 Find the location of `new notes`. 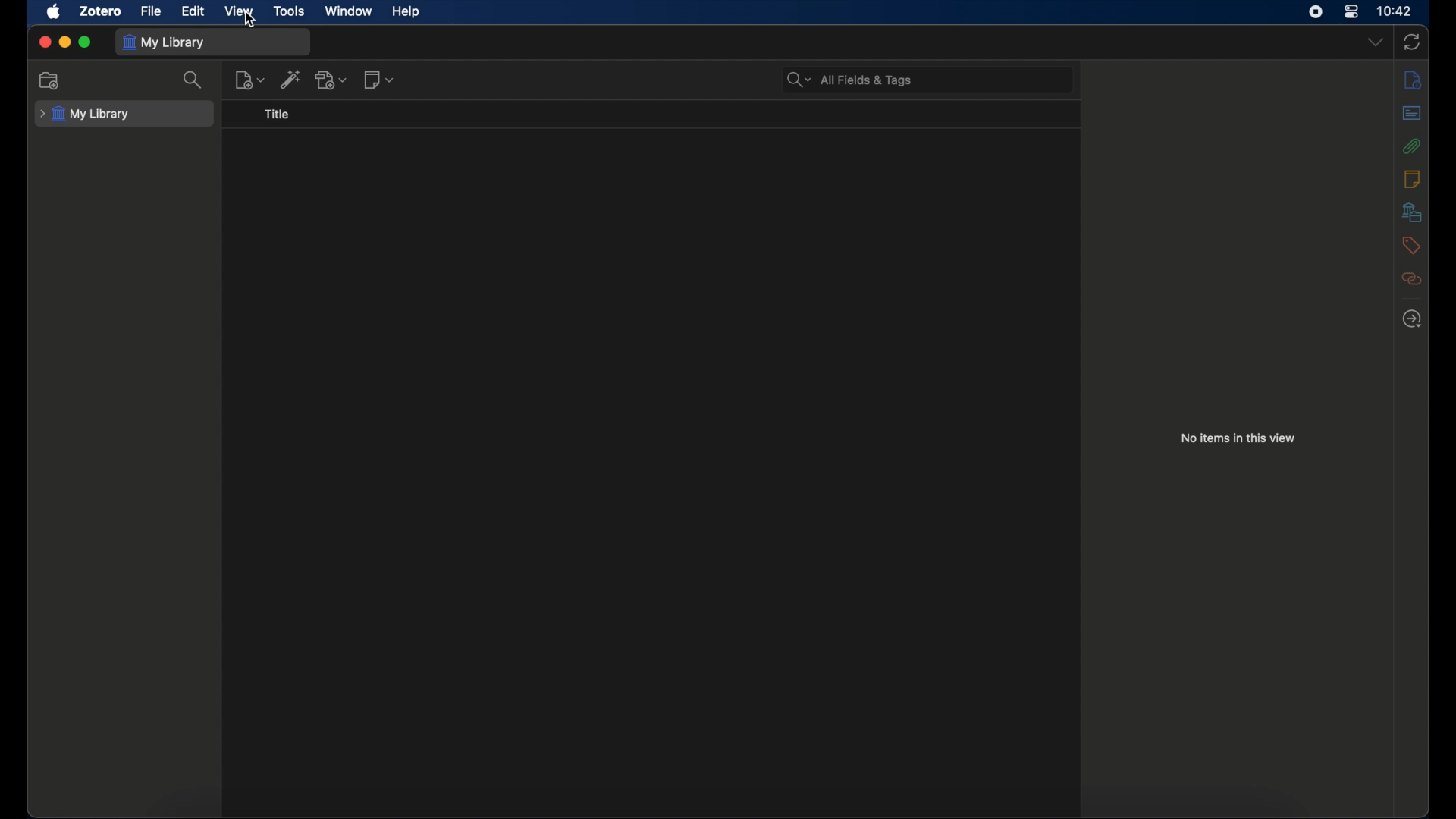

new notes is located at coordinates (379, 80).